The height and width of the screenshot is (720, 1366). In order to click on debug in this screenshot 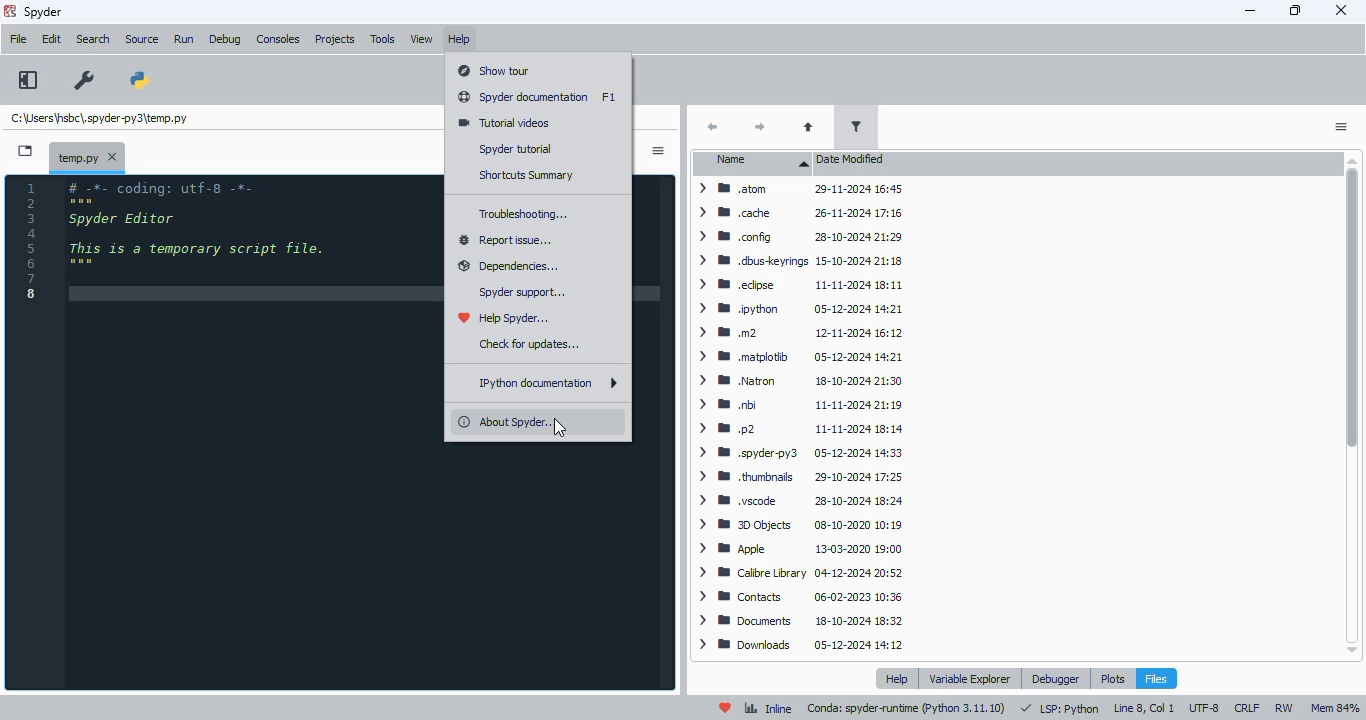, I will do `click(225, 39)`.